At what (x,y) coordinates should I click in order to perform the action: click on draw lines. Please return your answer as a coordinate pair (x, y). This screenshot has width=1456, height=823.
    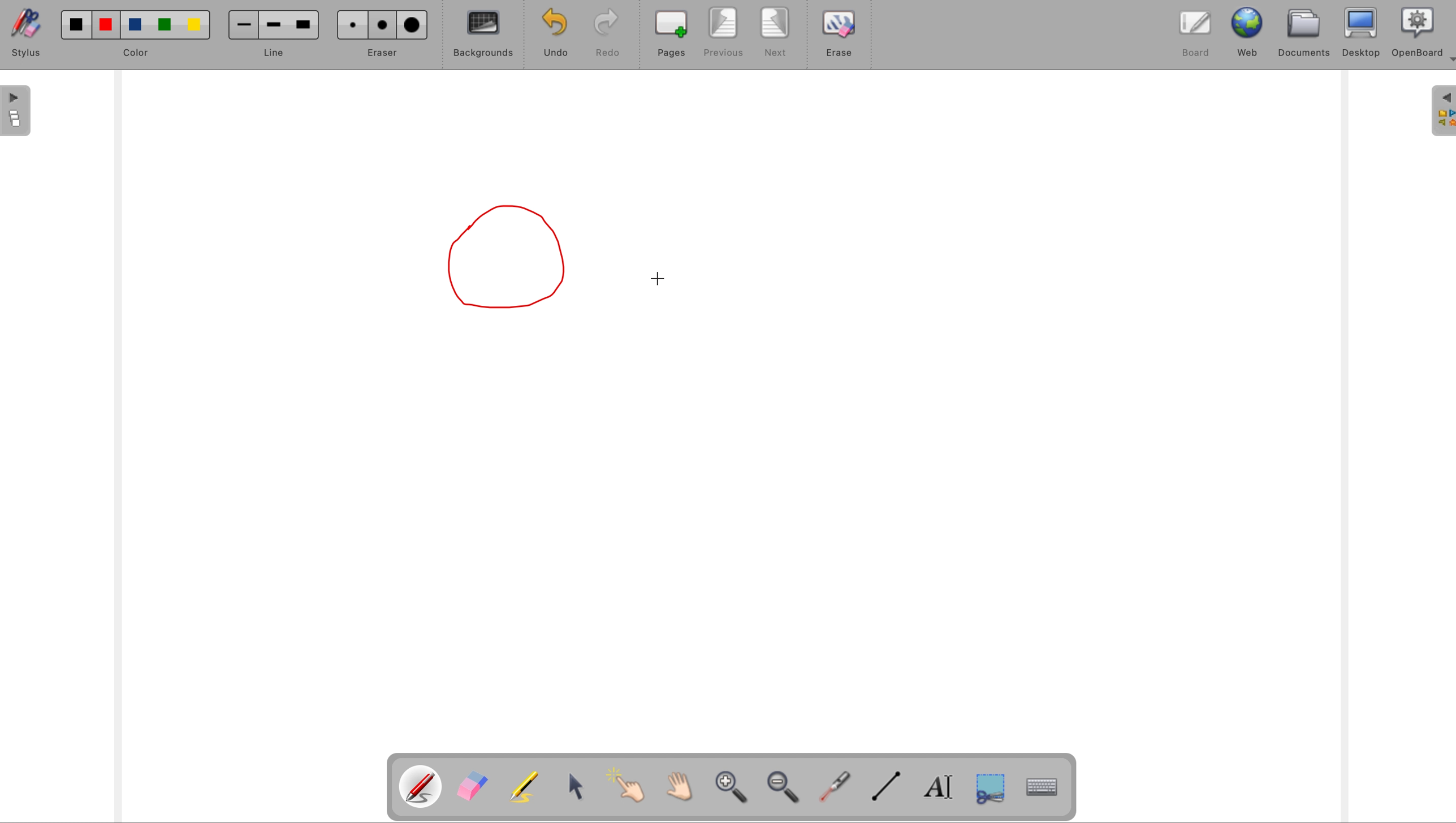
    Looking at the image, I should click on (889, 791).